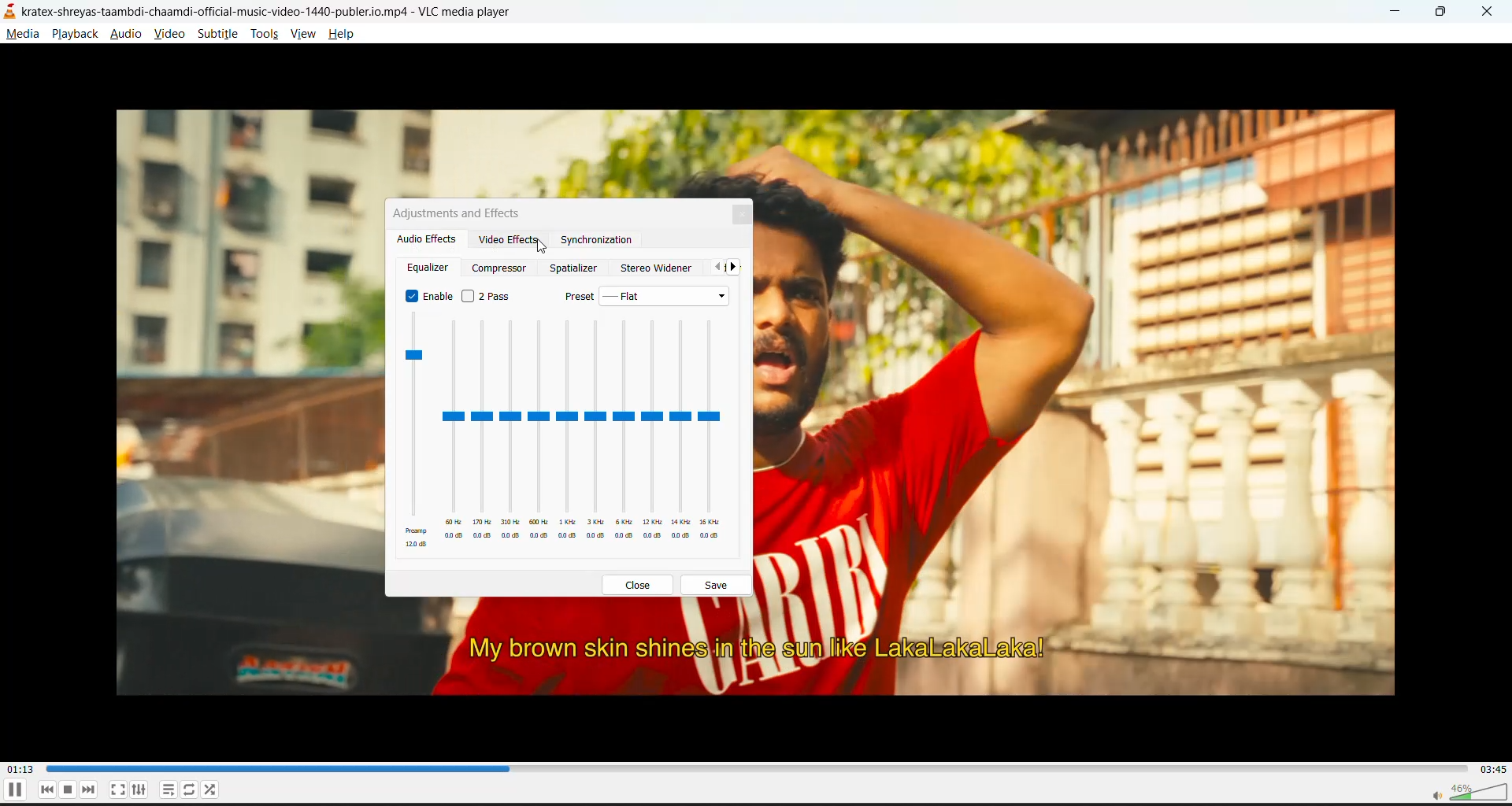 The height and width of the screenshot is (806, 1512). I want to click on My brown skin shines in the sun like LakaLakaLaka!, so click(754, 651).